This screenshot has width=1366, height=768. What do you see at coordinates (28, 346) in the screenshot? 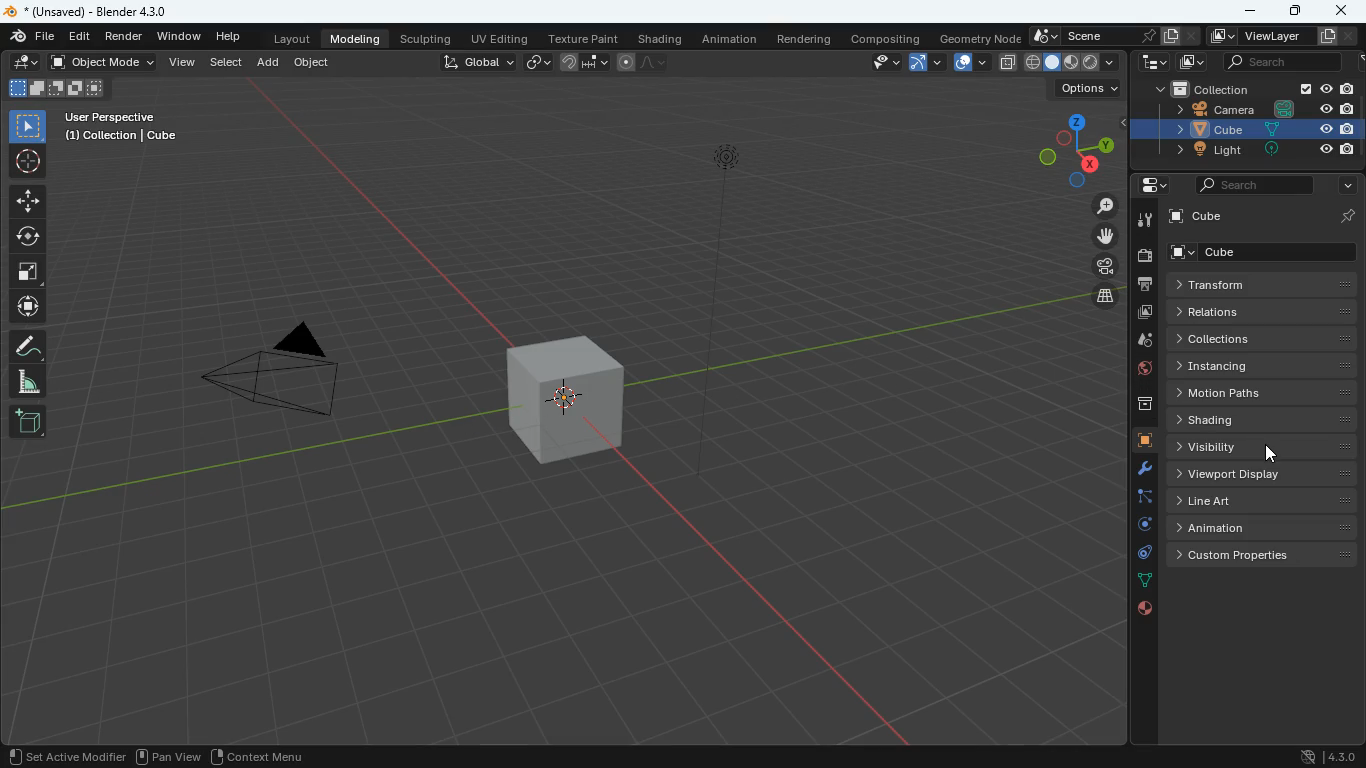
I see `draw` at bounding box center [28, 346].